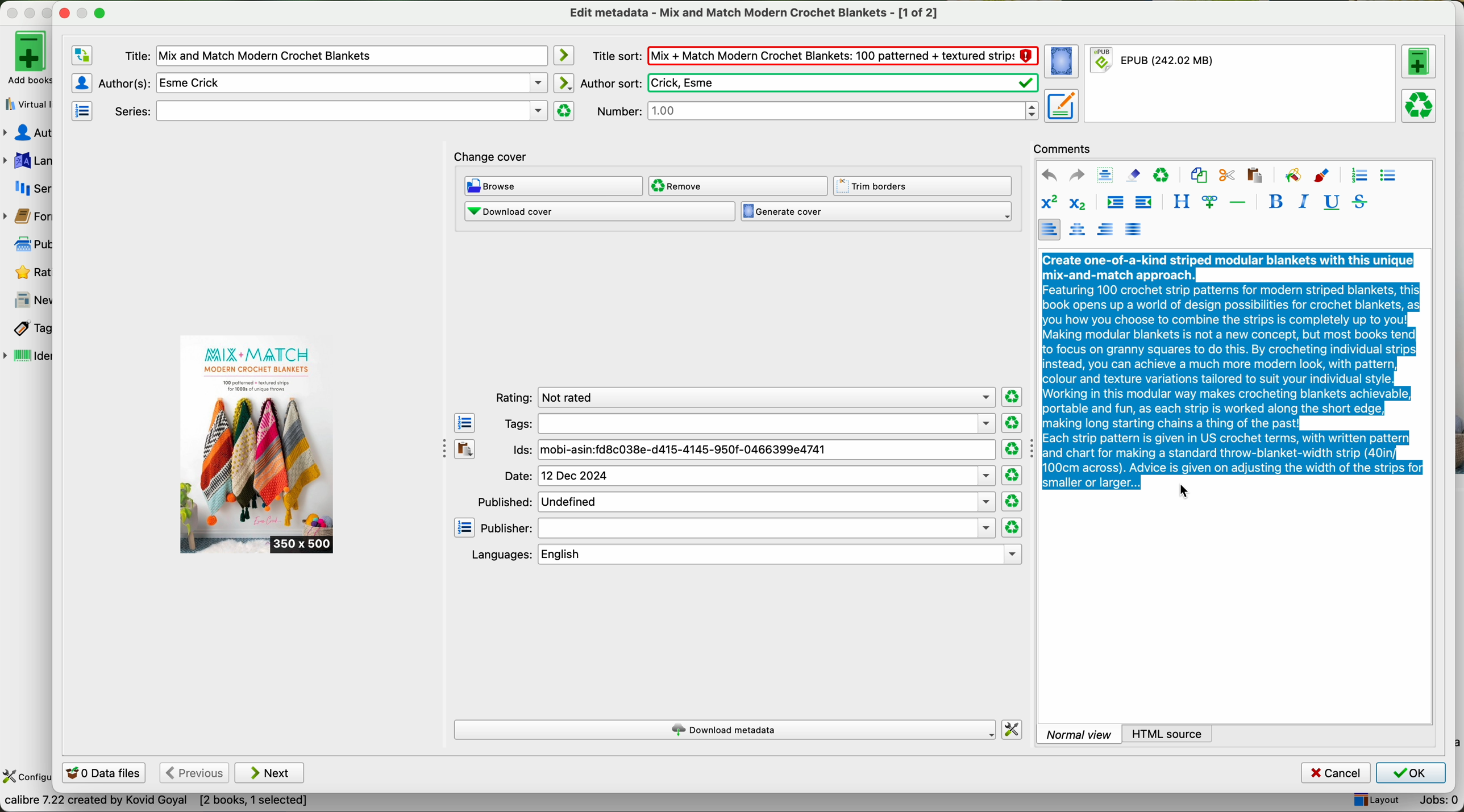 This screenshot has width=1464, height=812. Describe the element at coordinates (1301, 201) in the screenshot. I see `italic` at that location.